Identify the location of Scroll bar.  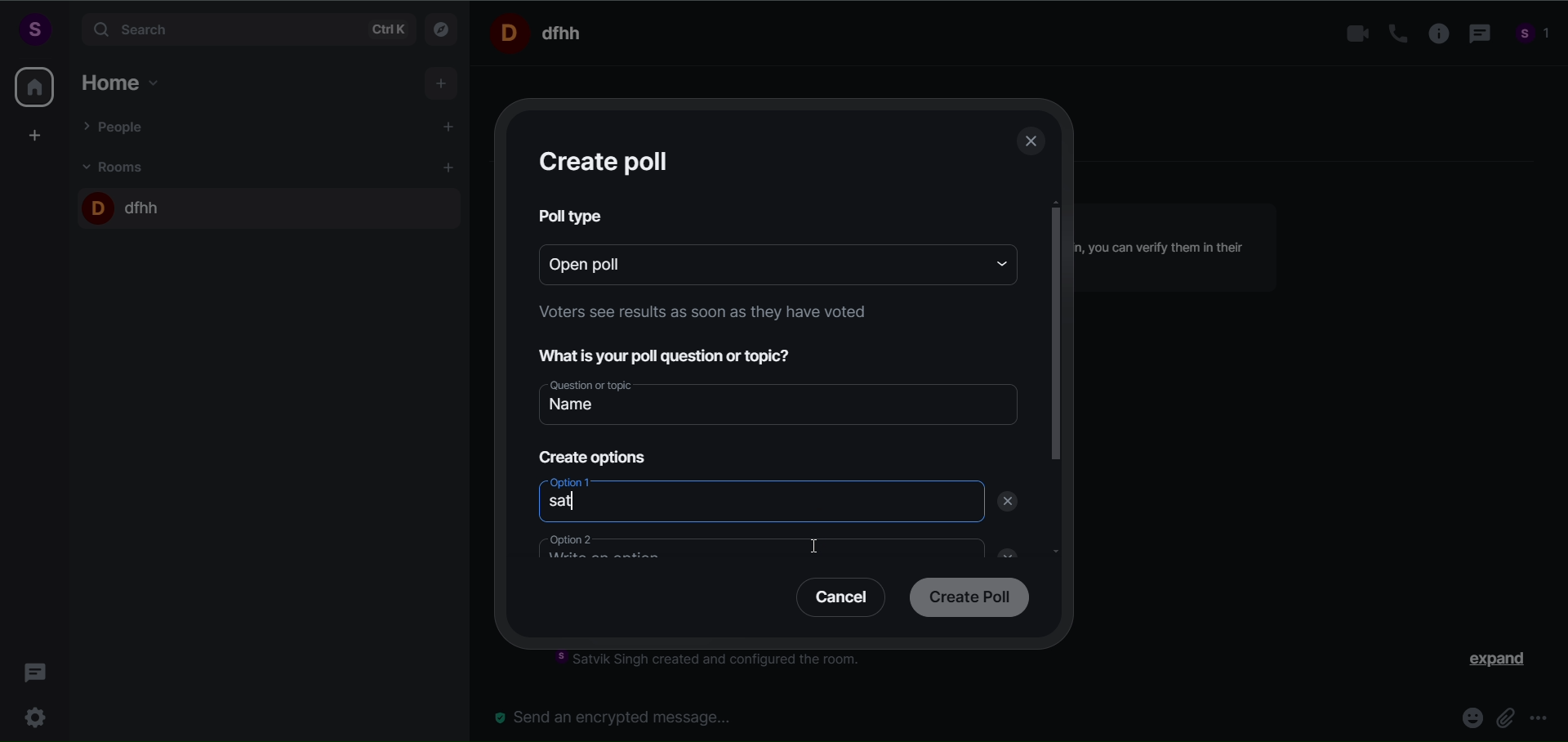
(1057, 413).